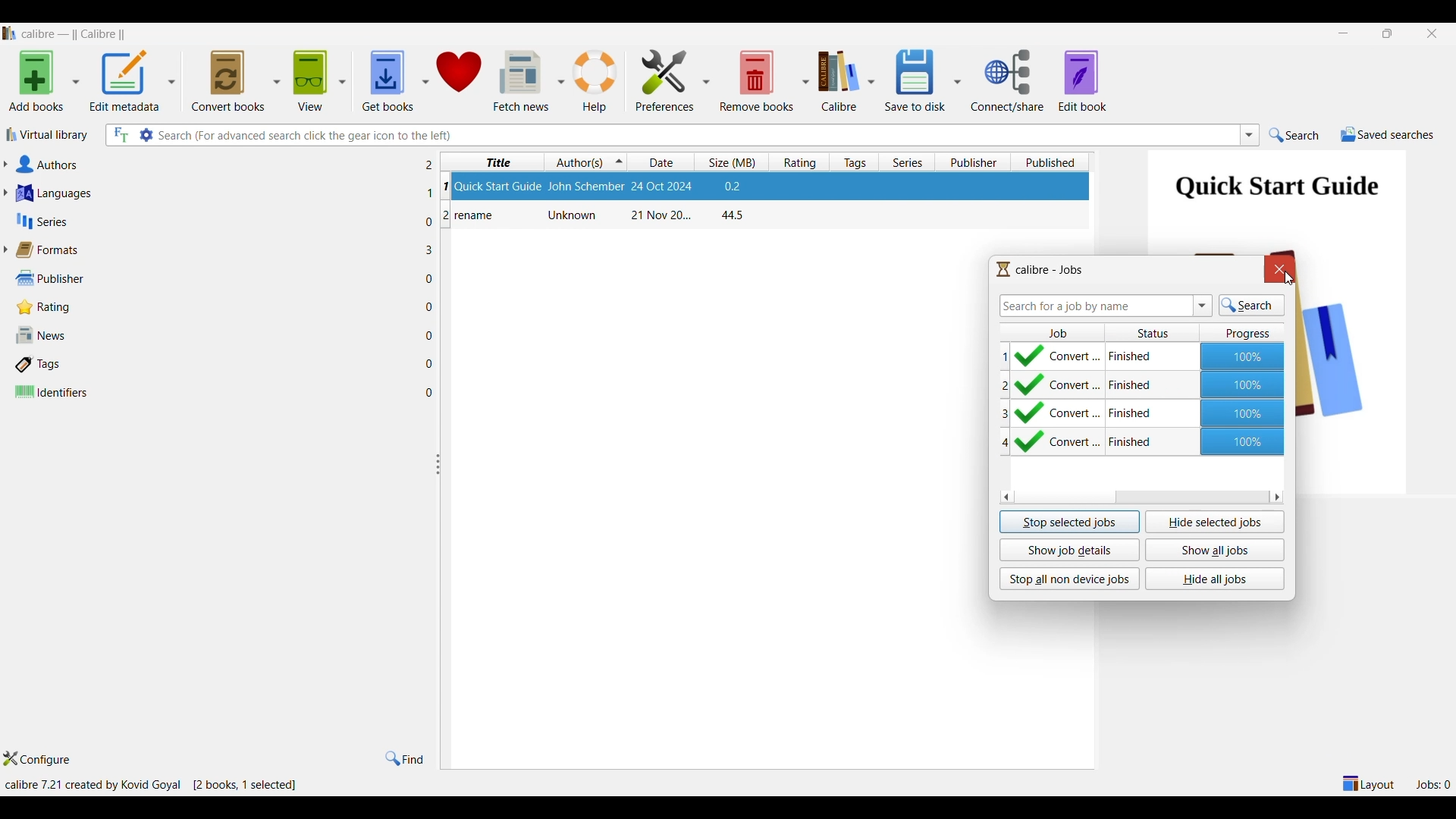  Describe the element at coordinates (385, 81) in the screenshot. I see `Get books` at that location.